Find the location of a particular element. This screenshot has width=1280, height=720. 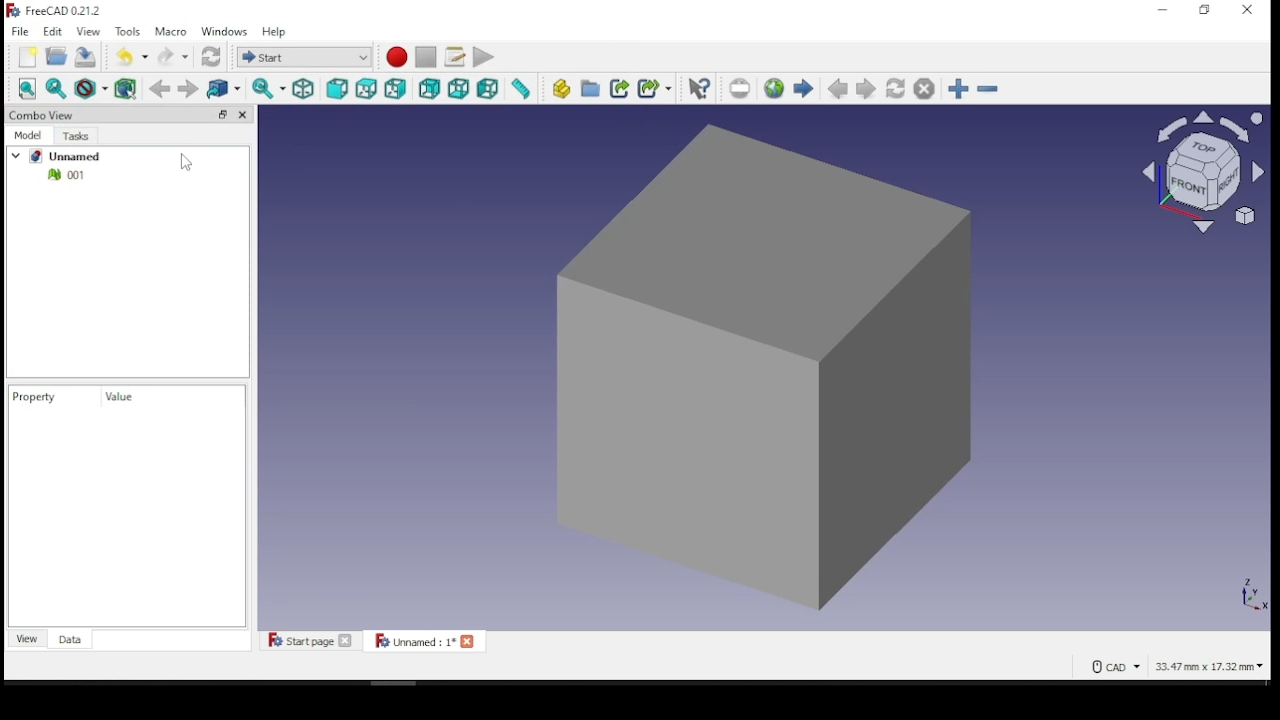

view is located at coordinates (87, 31).